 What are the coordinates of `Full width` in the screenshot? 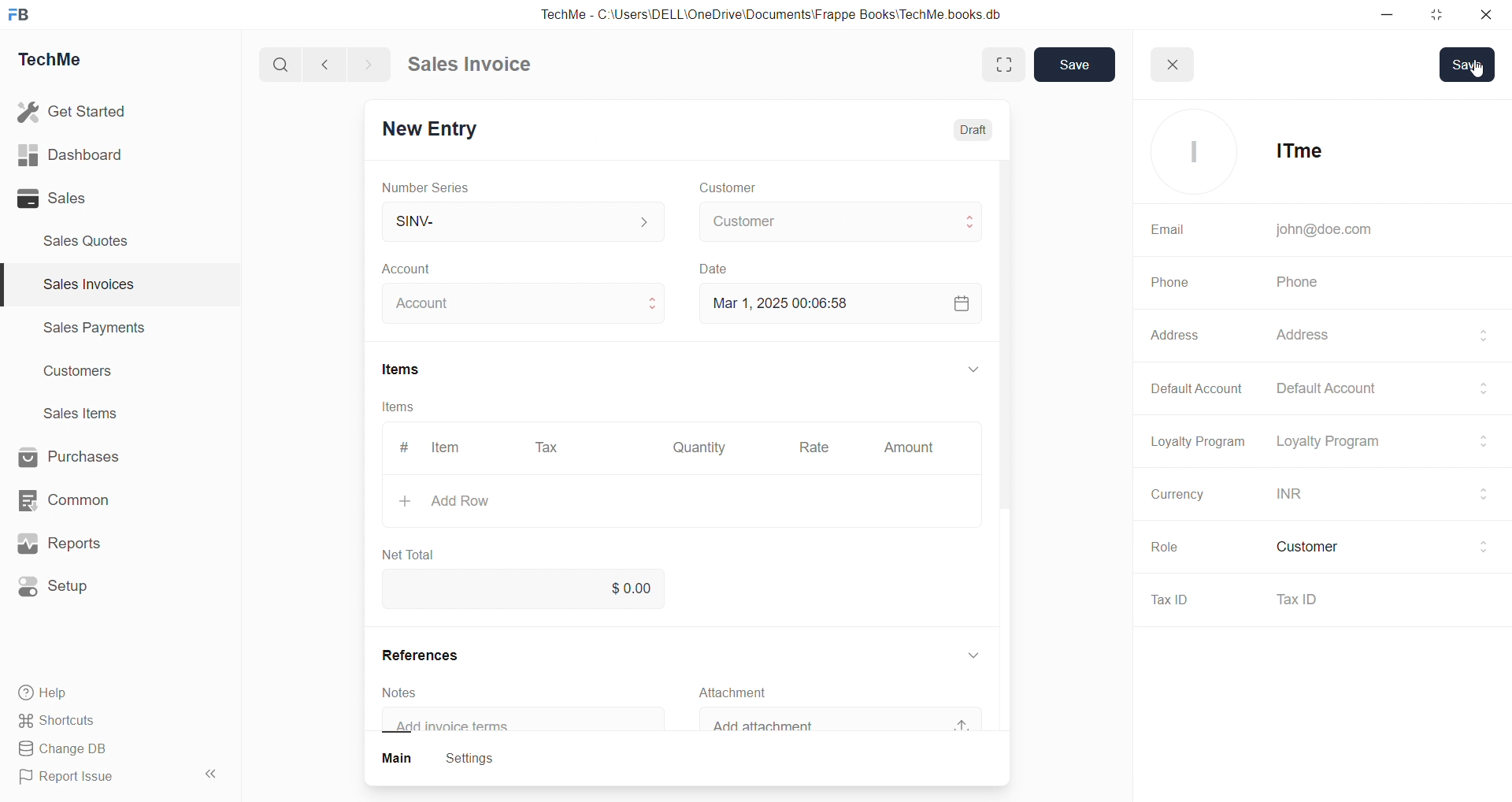 It's located at (990, 63).